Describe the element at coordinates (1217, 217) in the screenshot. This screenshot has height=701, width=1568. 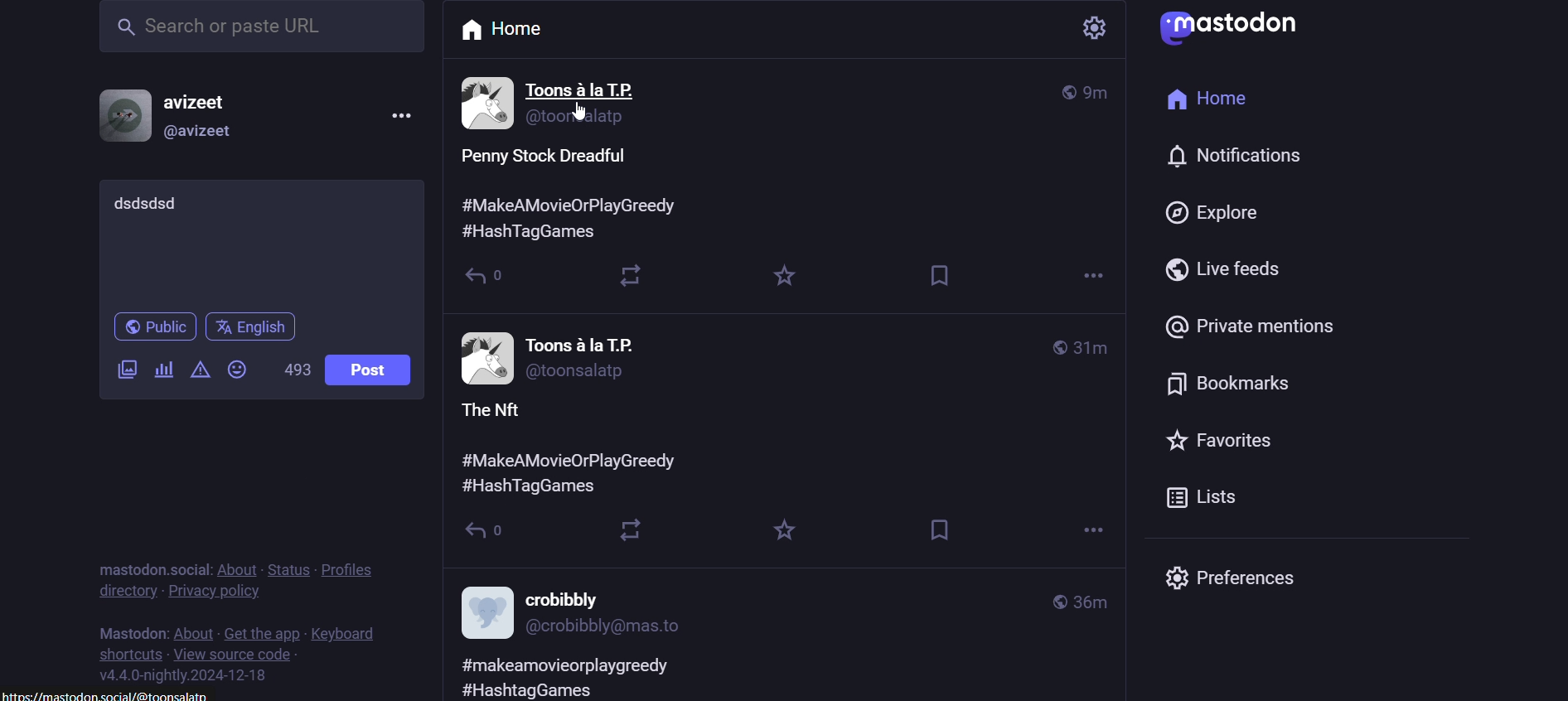
I see `explore ` at that location.